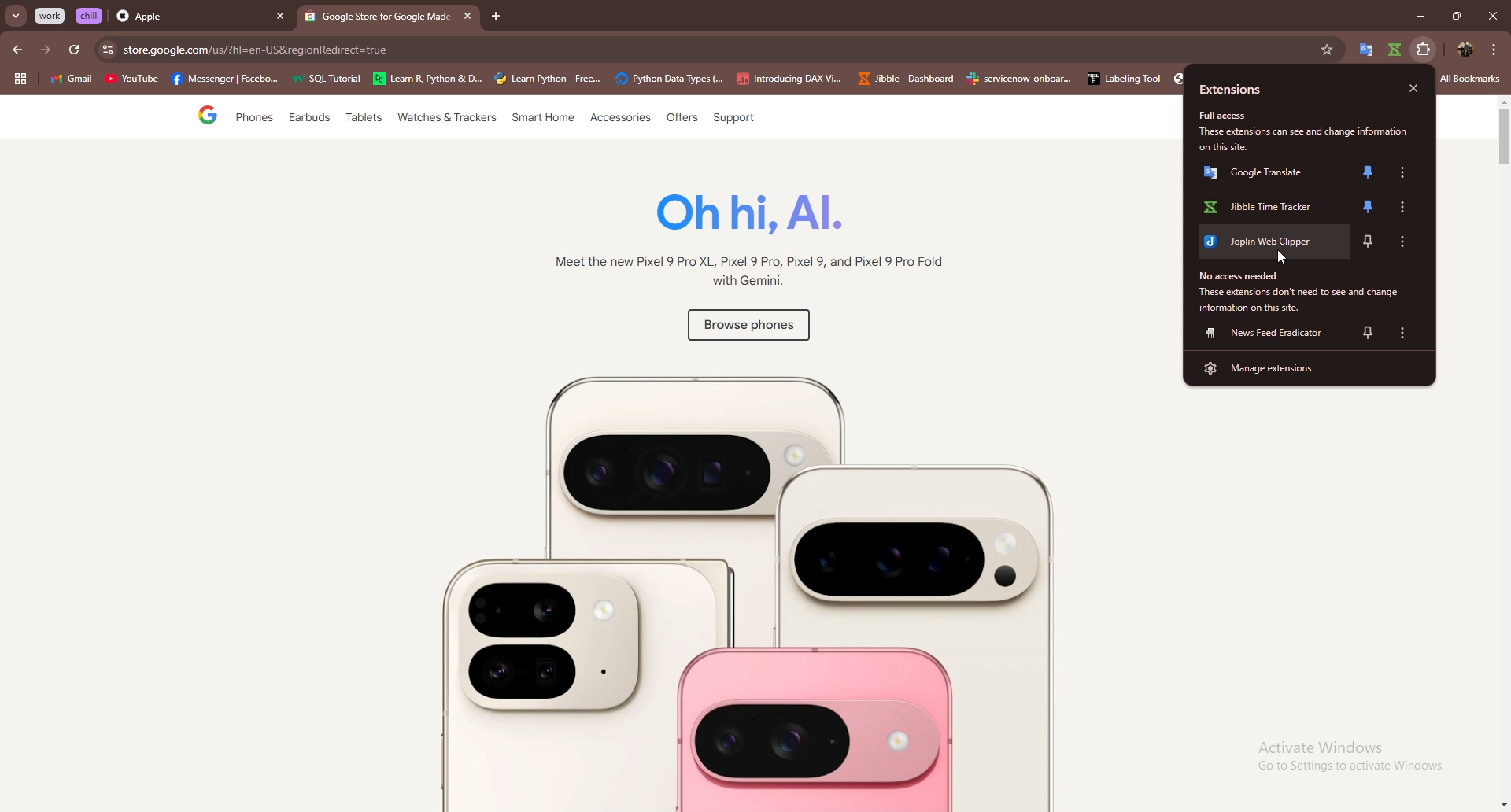 Image resolution: width=1511 pixels, height=812 pixels. Describe the element at coordinates (1251, 90) in the screenshot. I see `extensions` at that location.